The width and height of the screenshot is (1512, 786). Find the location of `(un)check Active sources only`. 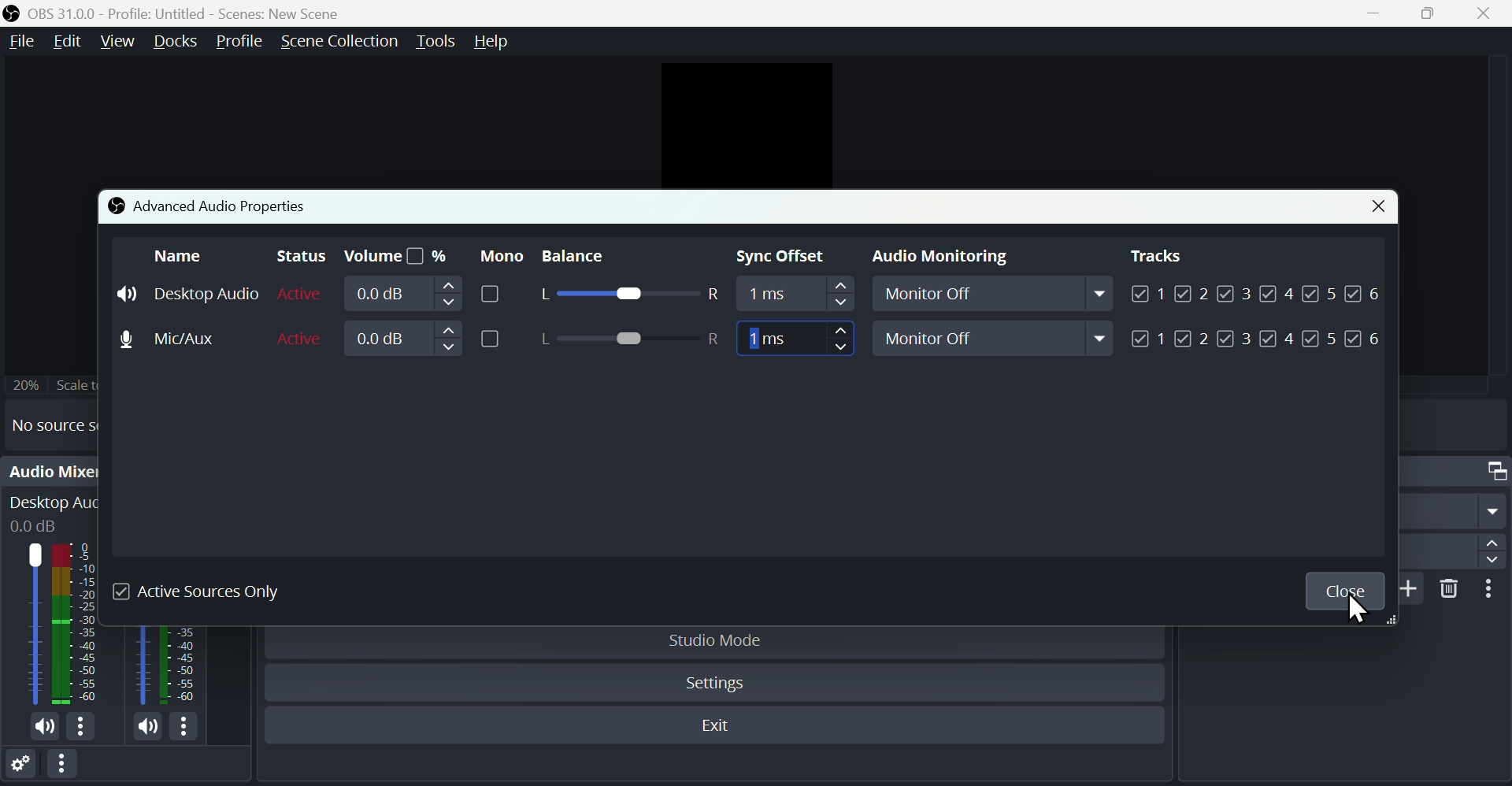

(un)check Active sources only is located at coordinates (209, 591).